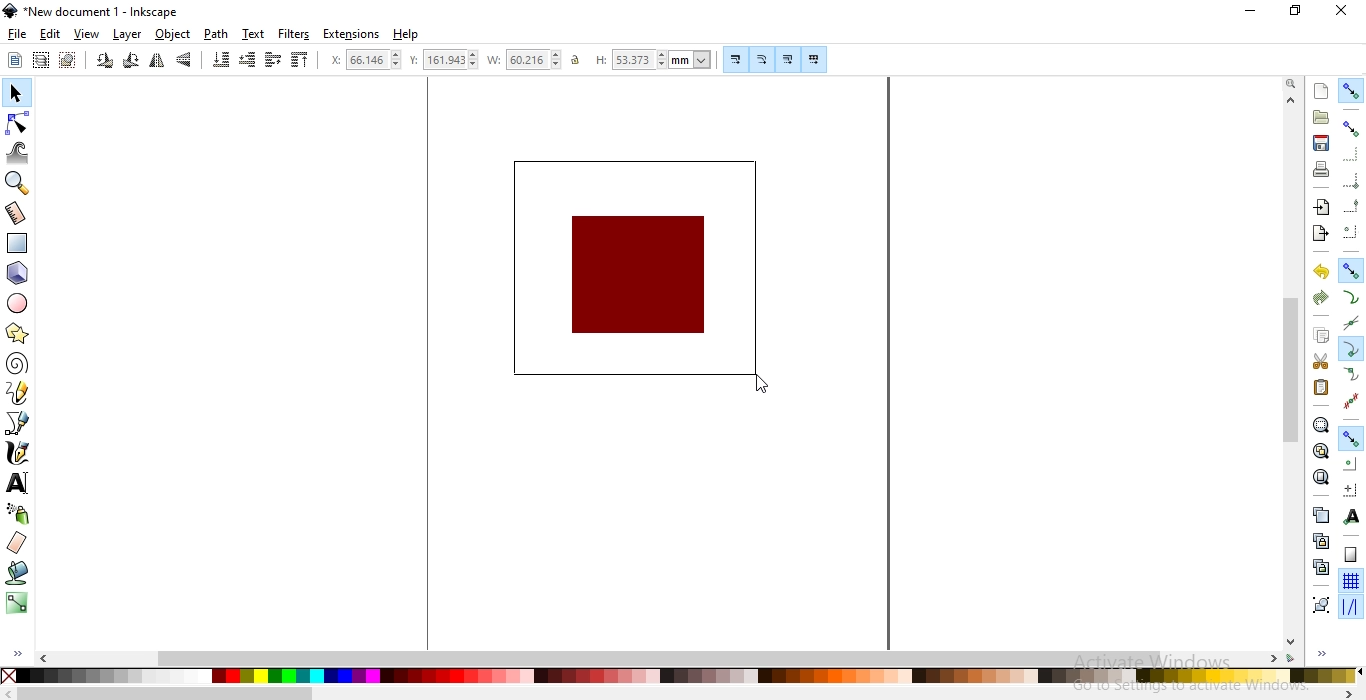  Describe the element at coordinates (636, 60) in the screenshot. I see `53.373` at that location.